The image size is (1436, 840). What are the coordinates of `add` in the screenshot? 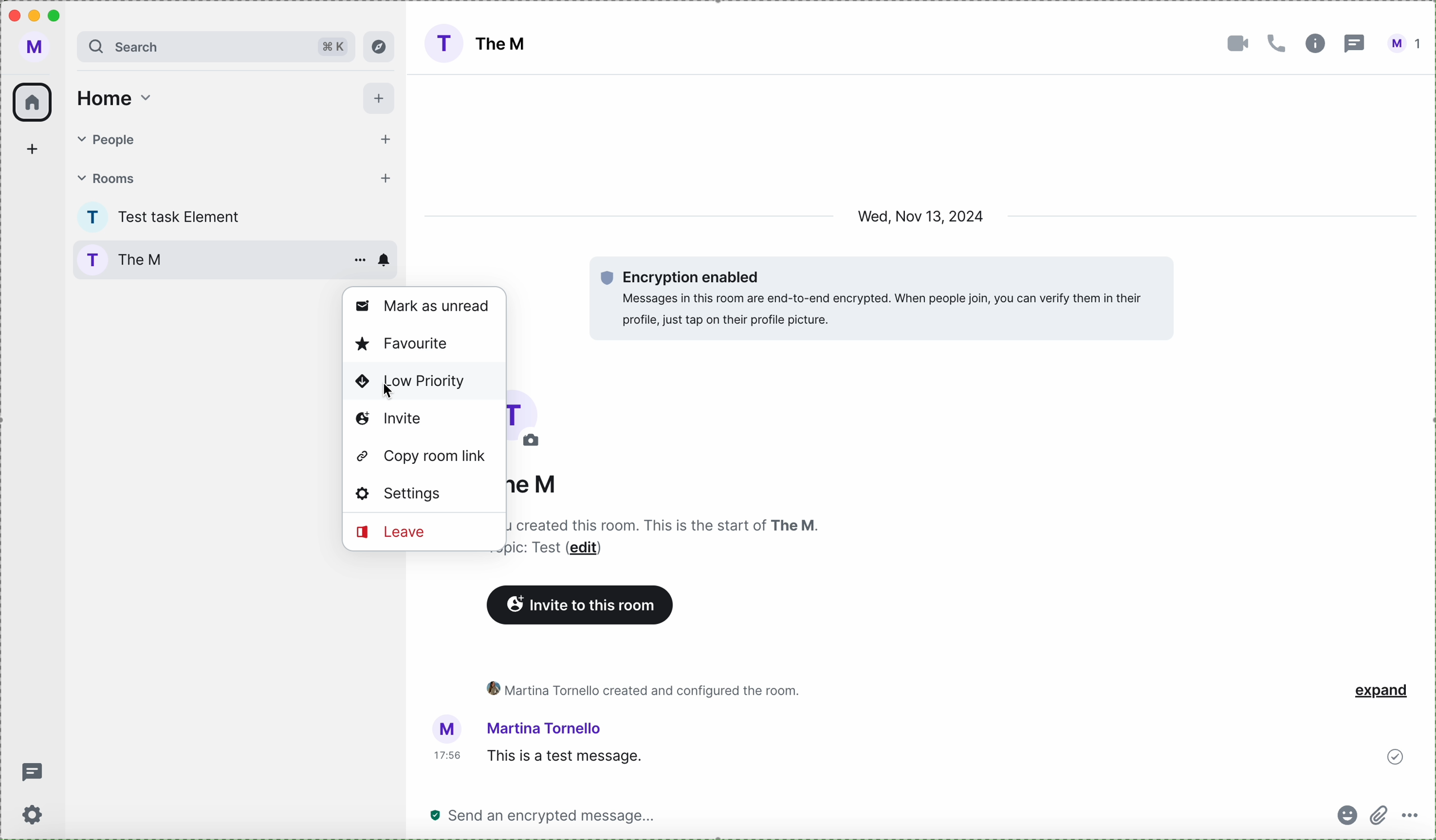 It's located at (381, 99).